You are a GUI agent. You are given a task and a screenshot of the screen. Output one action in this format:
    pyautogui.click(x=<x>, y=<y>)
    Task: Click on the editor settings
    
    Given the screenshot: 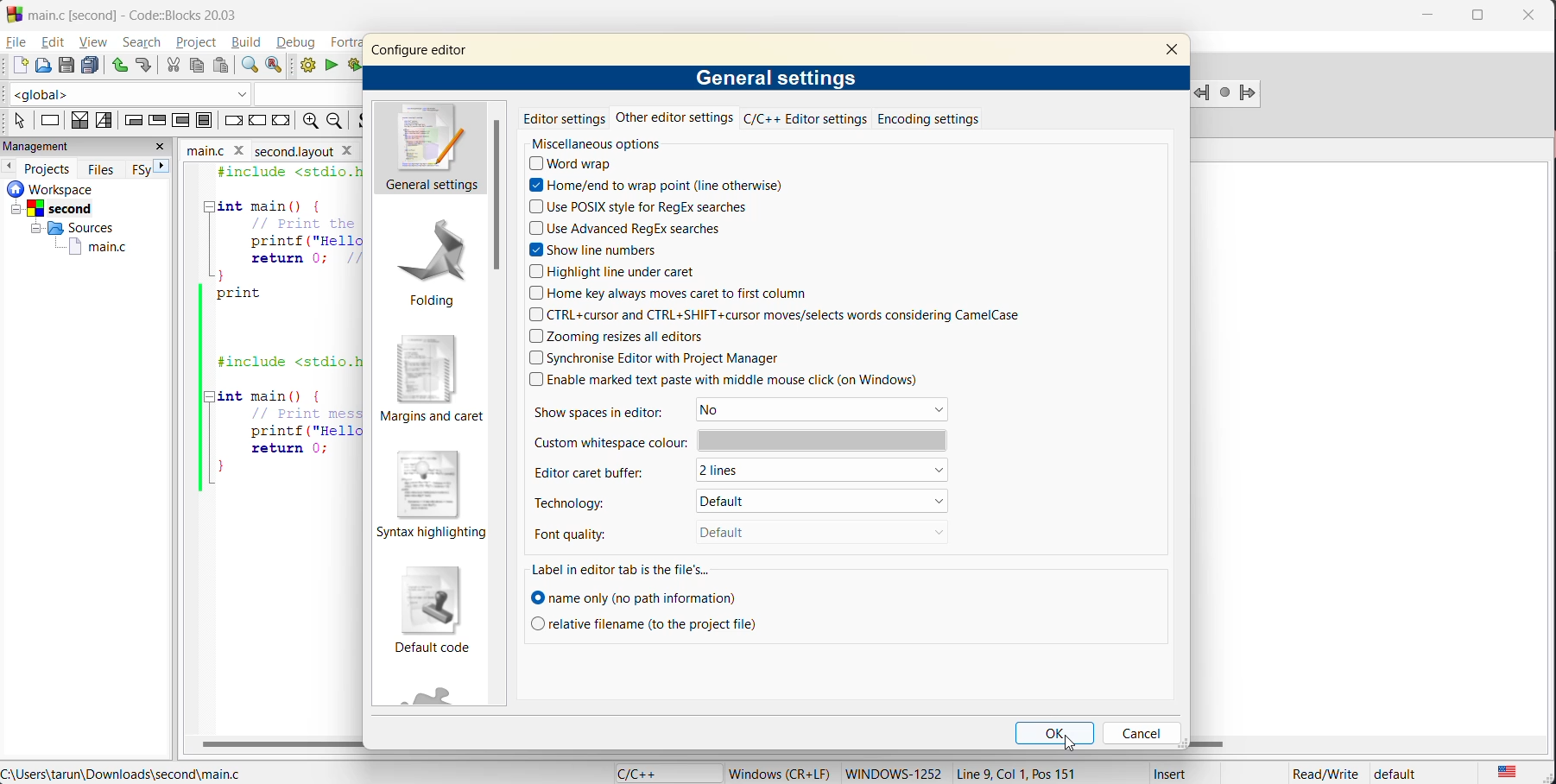 What is the action you would take?
    pyautogui.click(x=566, y=117)
    